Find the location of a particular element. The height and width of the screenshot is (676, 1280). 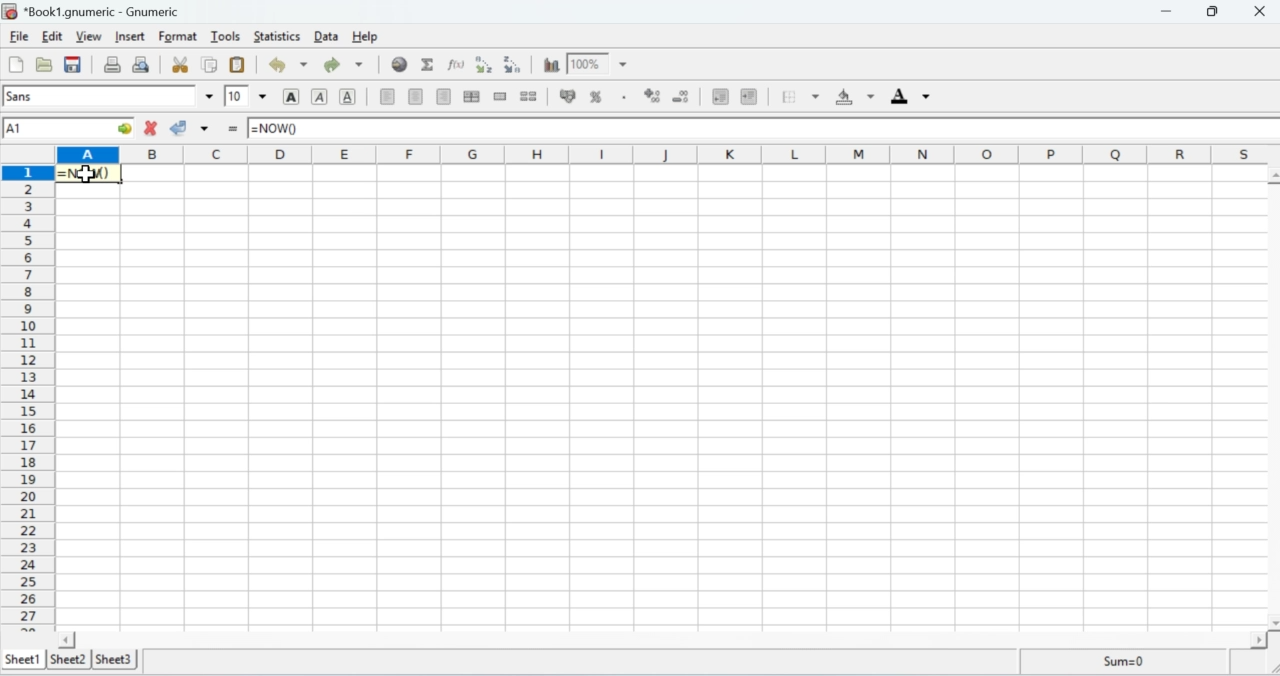

Undo is located at coordinates (284, 64).